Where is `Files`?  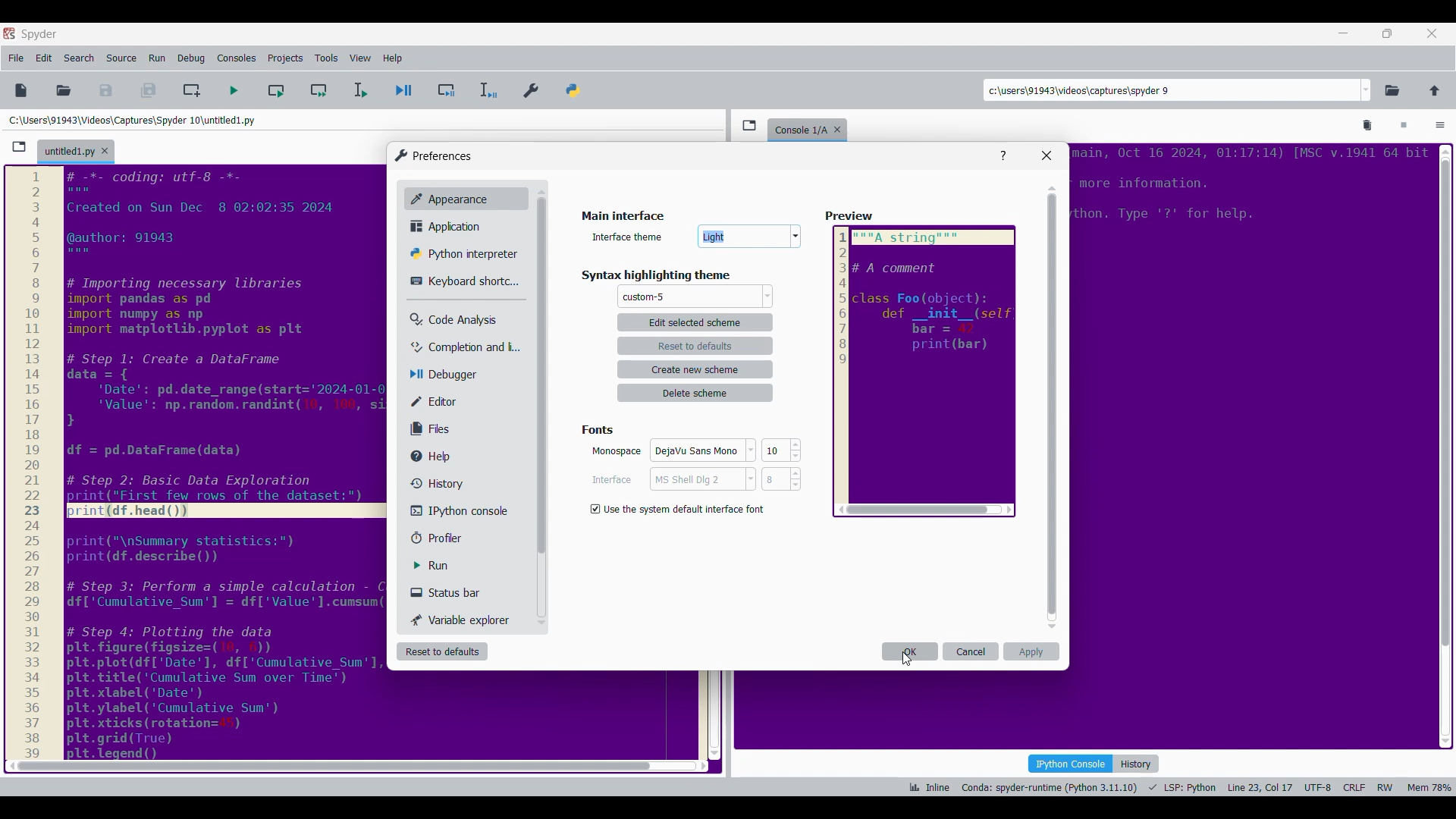 Files is located at coordinates (434, 428).